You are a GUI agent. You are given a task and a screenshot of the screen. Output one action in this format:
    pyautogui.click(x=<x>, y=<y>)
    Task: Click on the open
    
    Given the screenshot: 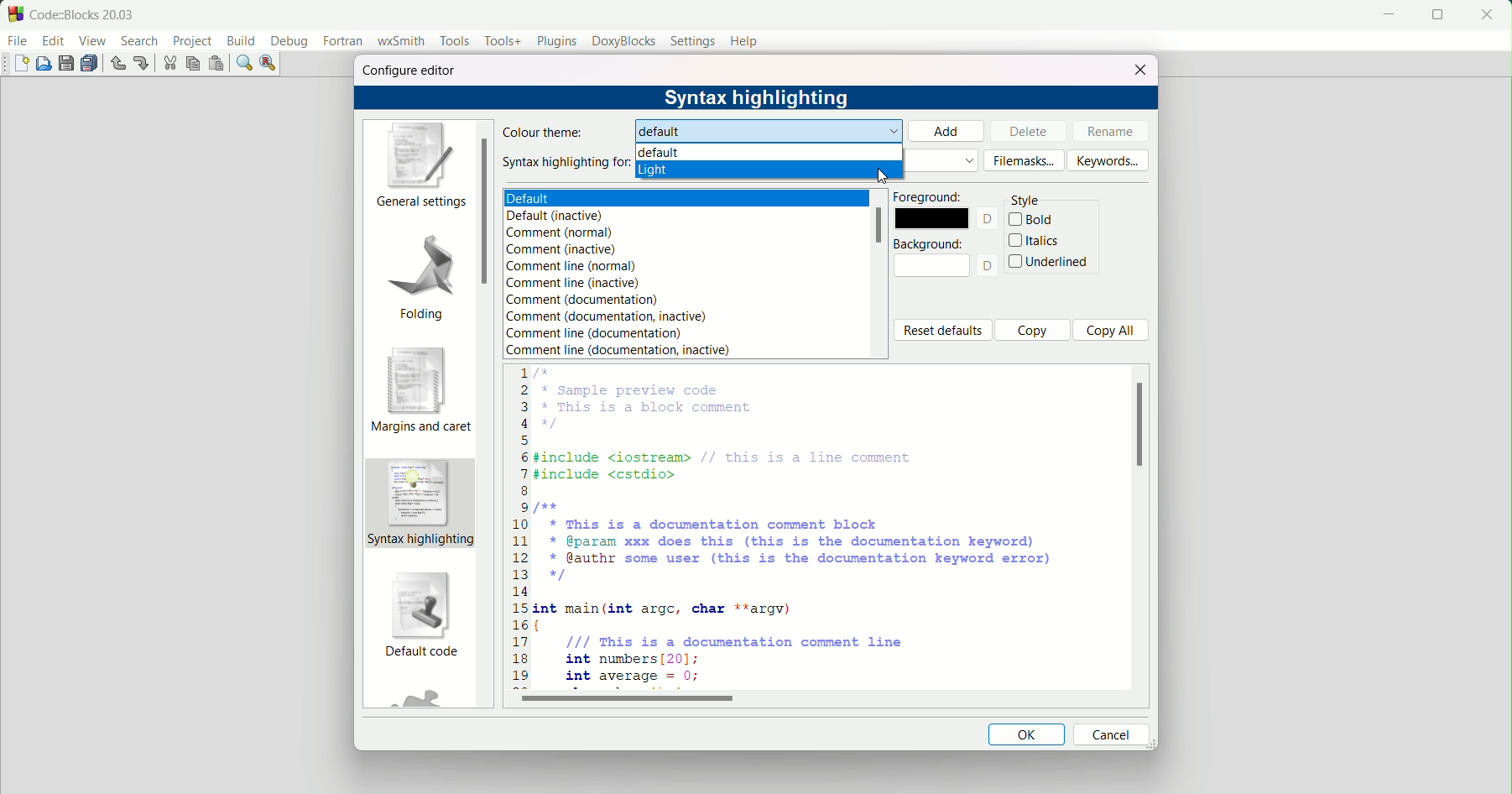 What is the action you would take?
    pyautogui.click(x=45, y=64)
    